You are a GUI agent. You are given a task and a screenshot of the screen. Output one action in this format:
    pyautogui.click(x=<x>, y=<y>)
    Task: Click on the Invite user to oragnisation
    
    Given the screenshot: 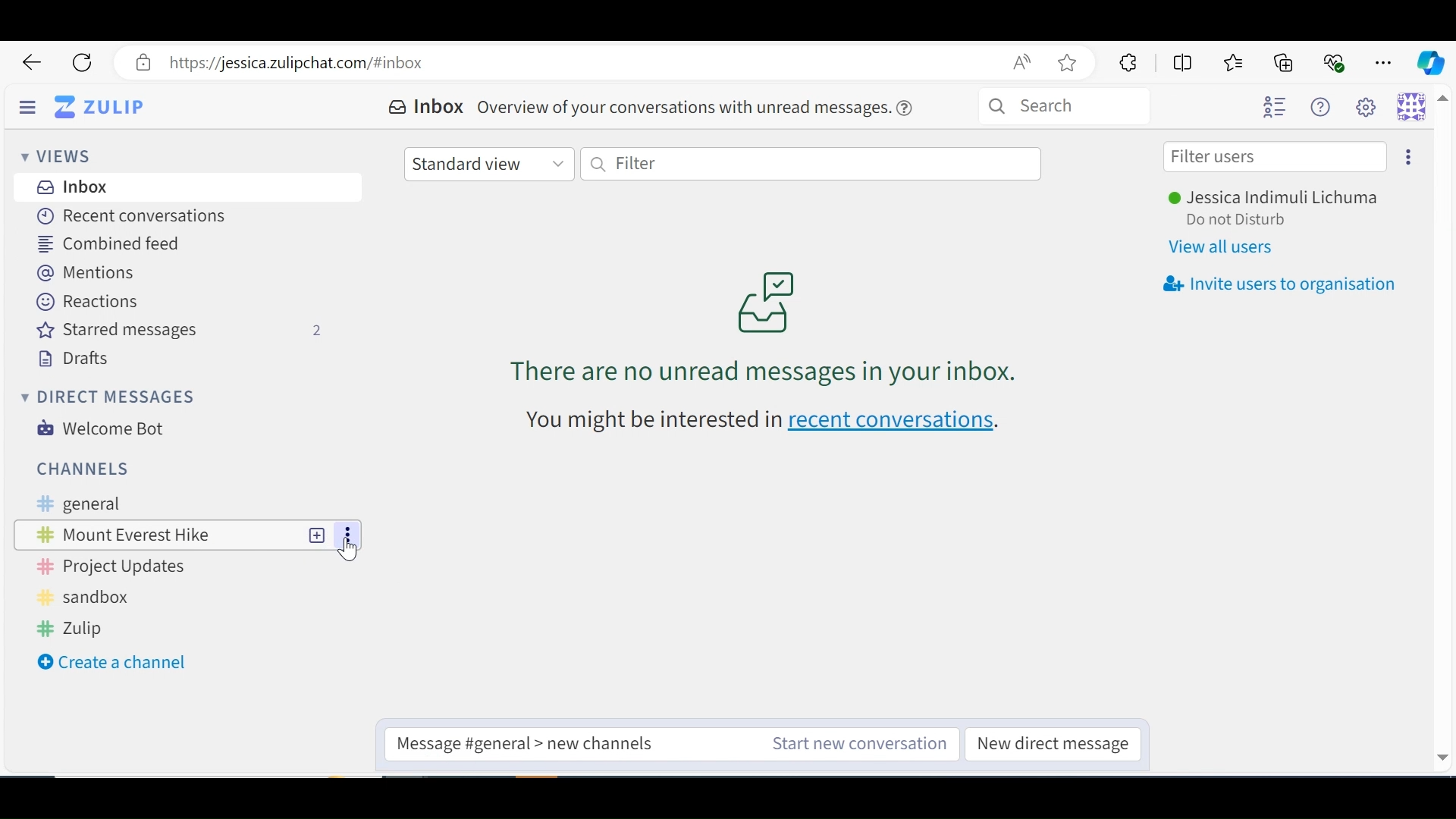 What is the action you would take?
    pyautogui.click(x=1278, y=285)
    